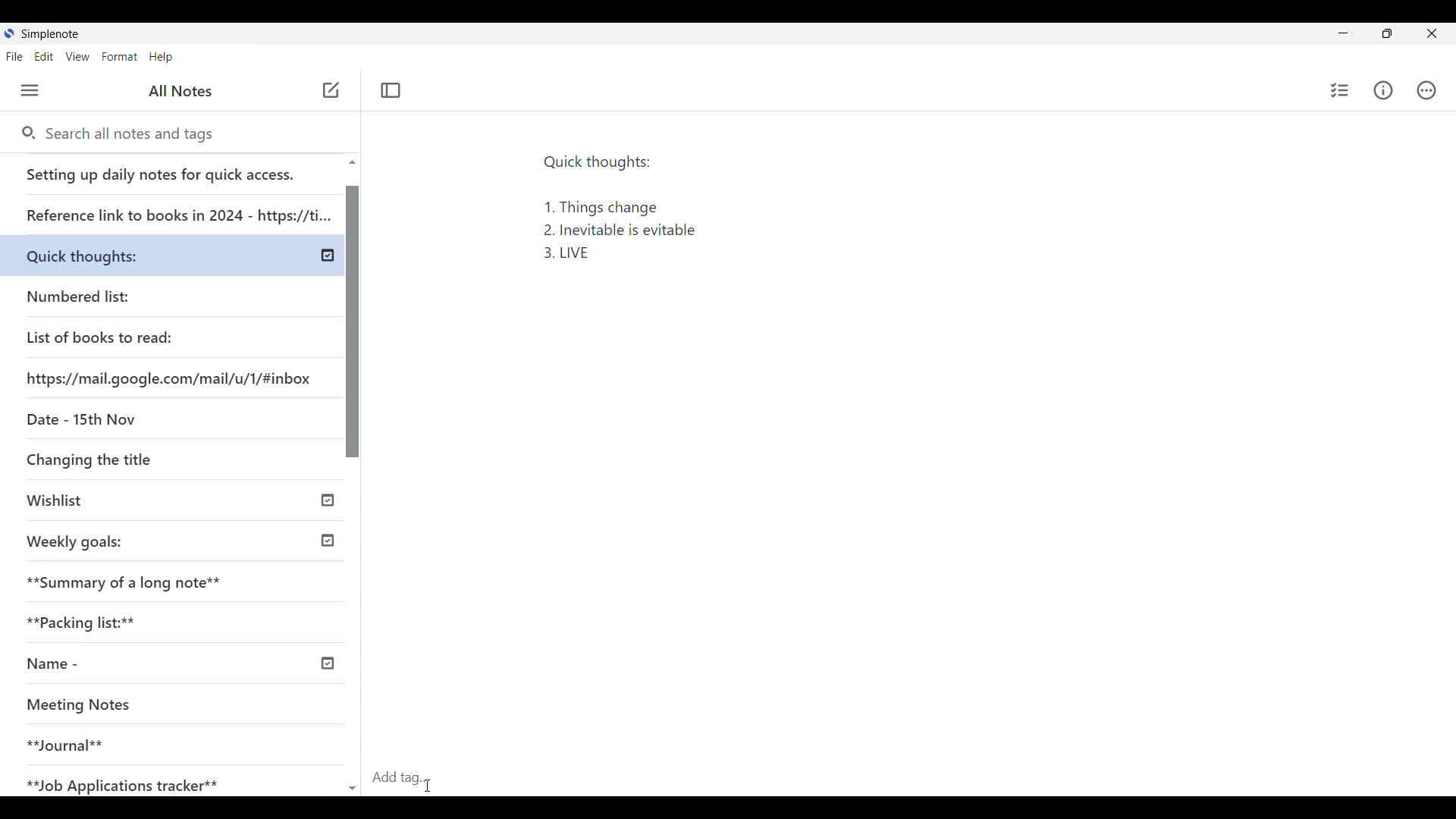 This screenshot has height=819, width=1456. I want to click on List of books, so click(101, 335).